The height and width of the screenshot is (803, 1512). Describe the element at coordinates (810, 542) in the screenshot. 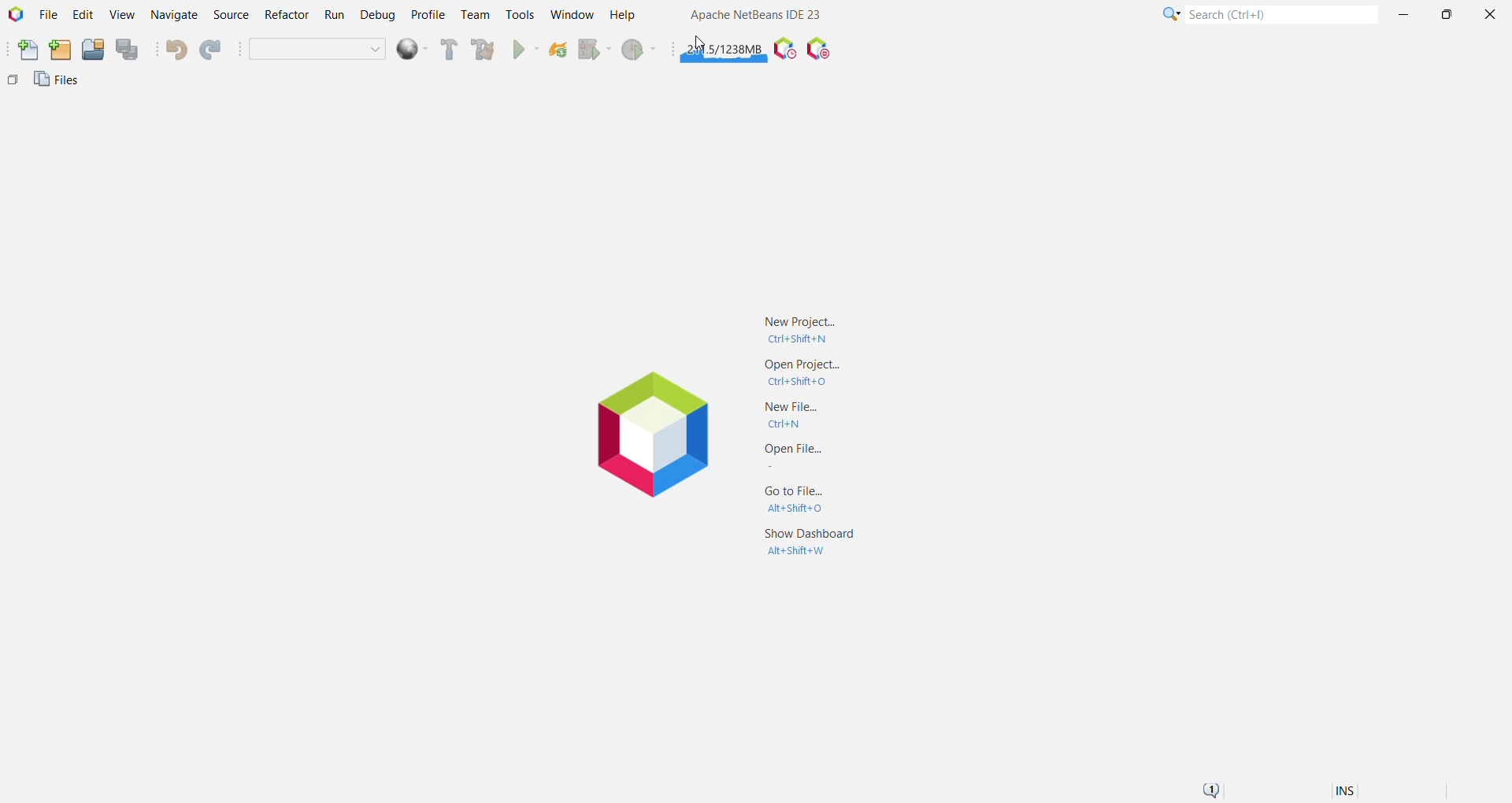

I see `Show Dashboard` at that location.